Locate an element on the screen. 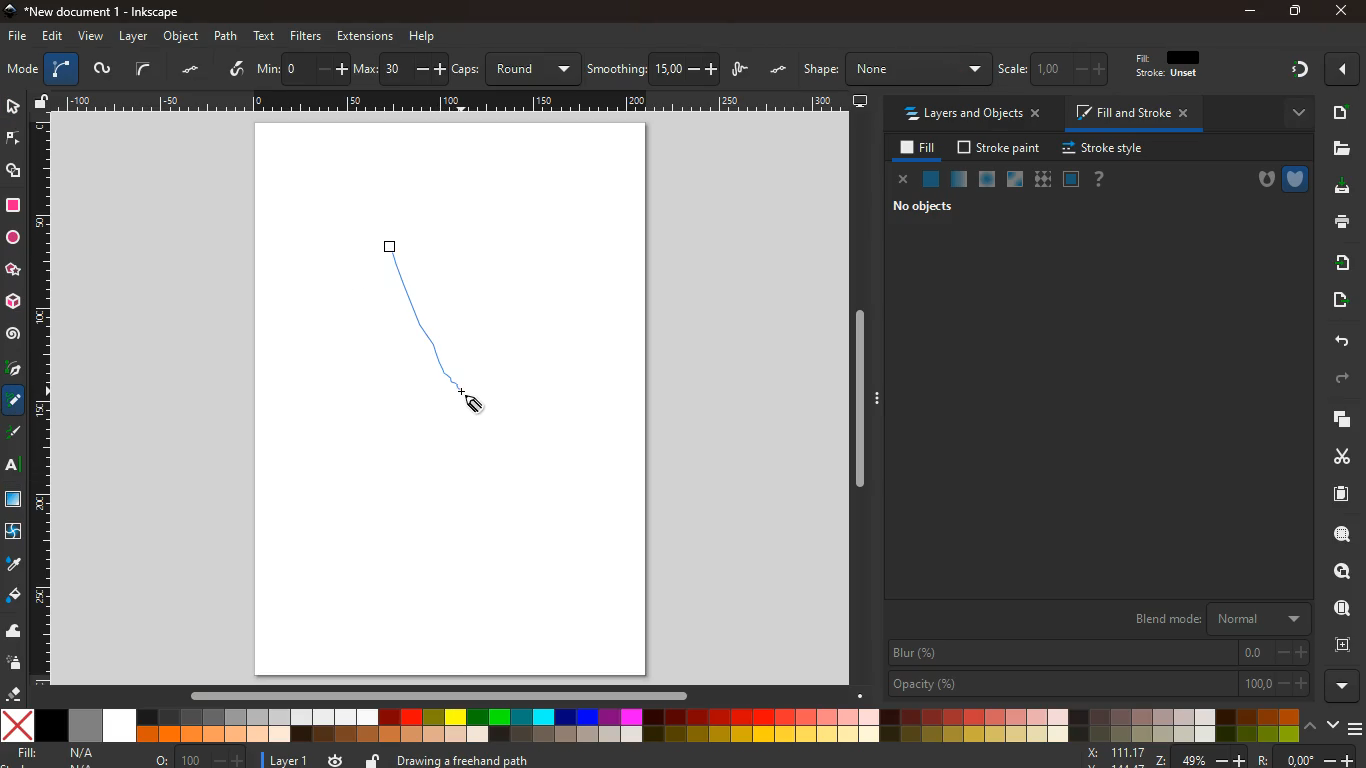  opacity is located at coordinates (1100, 684).